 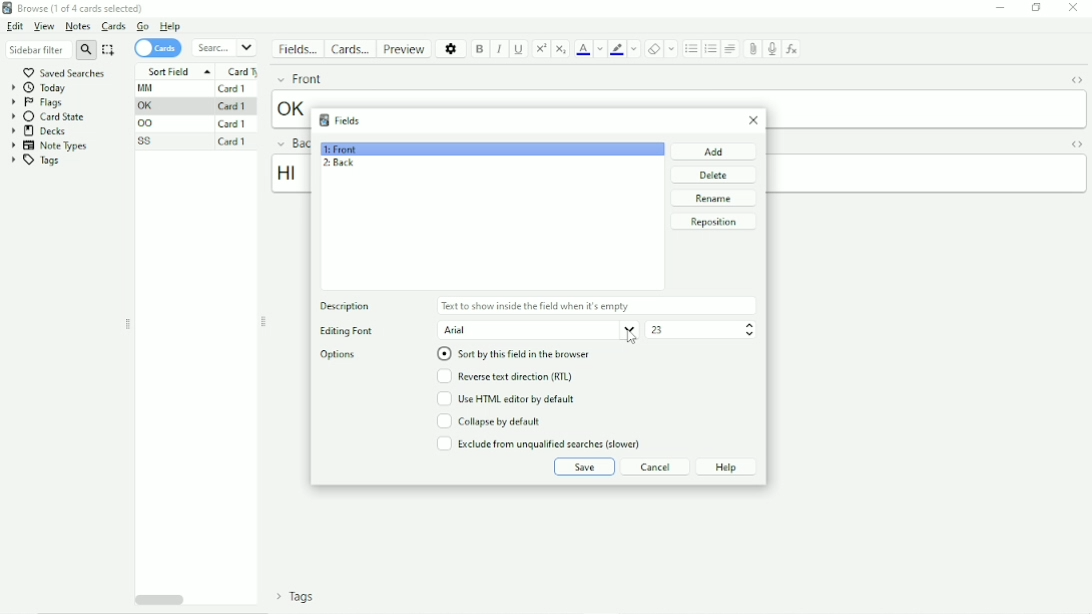 I want to click on Description, so click(x=345, y=305).